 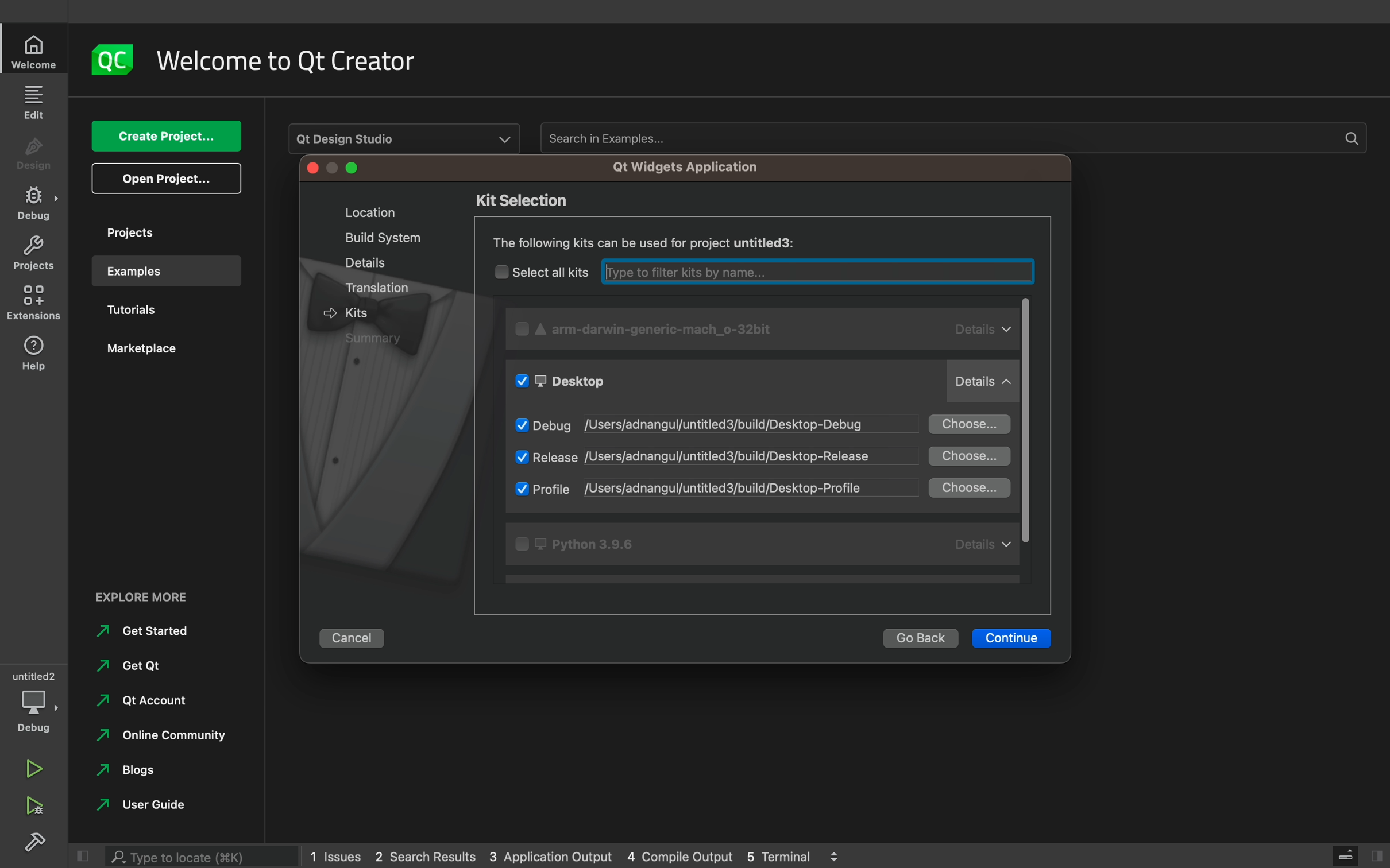 What do you see at coordinates (428, 857) in the screenshot?
I see `2 search results` at bounding box center [428, 857].